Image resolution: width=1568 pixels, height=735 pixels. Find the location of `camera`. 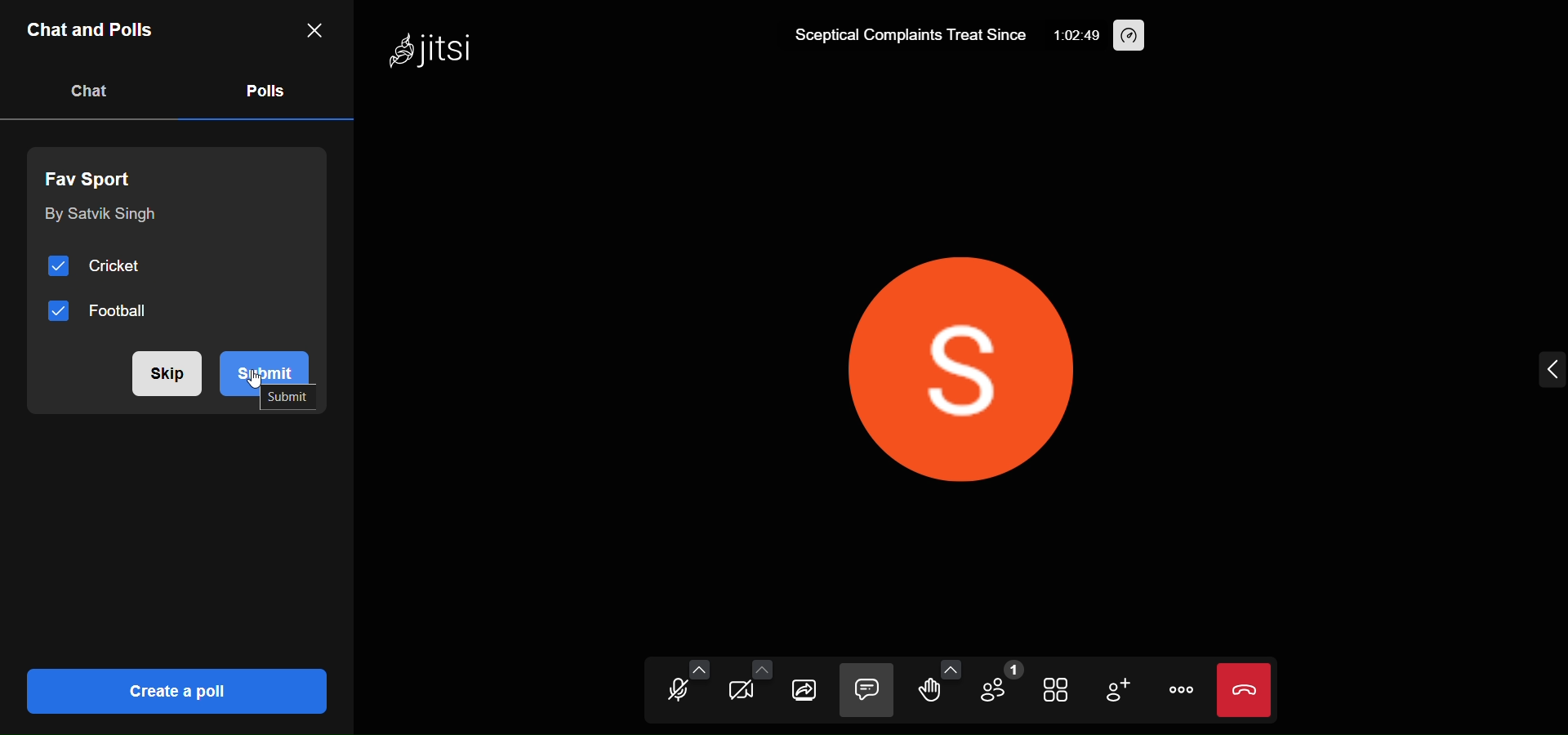

camera is located at coordinates (736, 693).